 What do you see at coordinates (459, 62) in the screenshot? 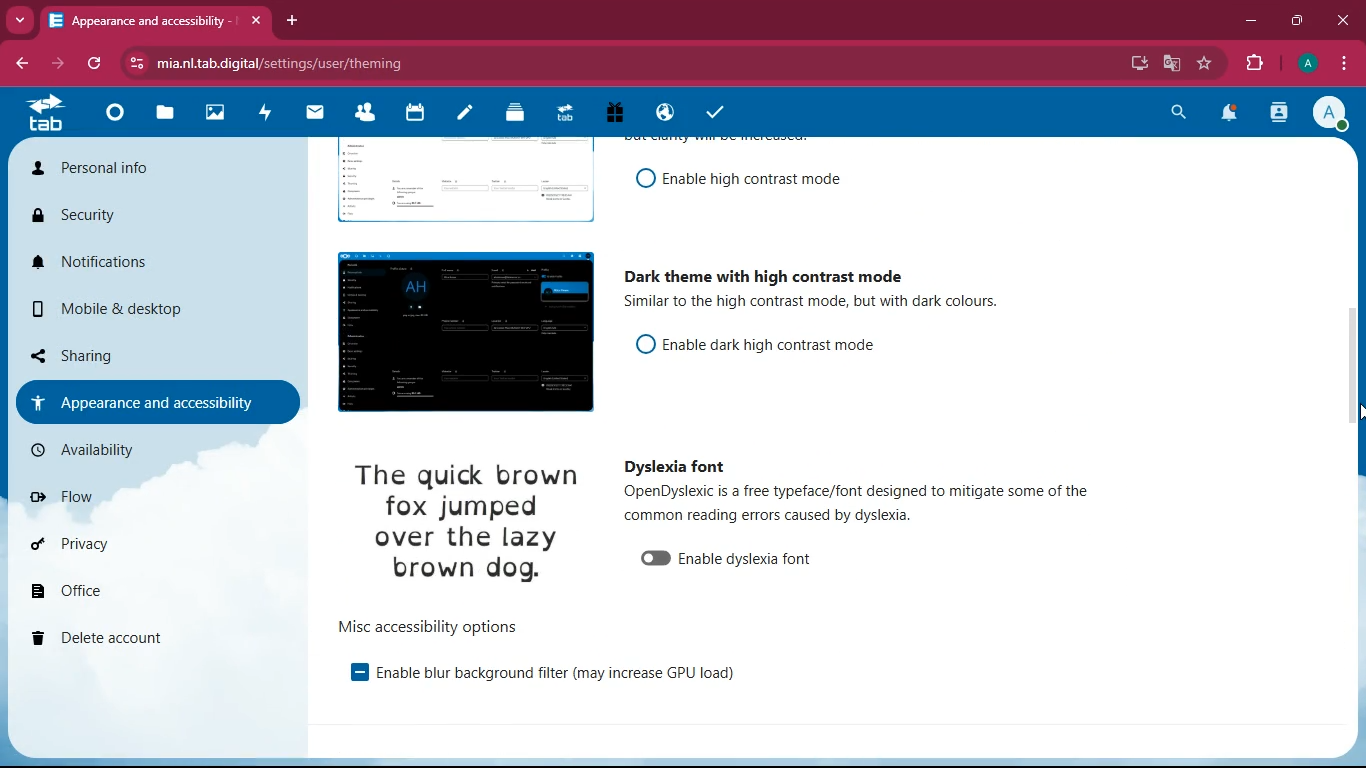
I see `url` at bounding box center [459, 62].